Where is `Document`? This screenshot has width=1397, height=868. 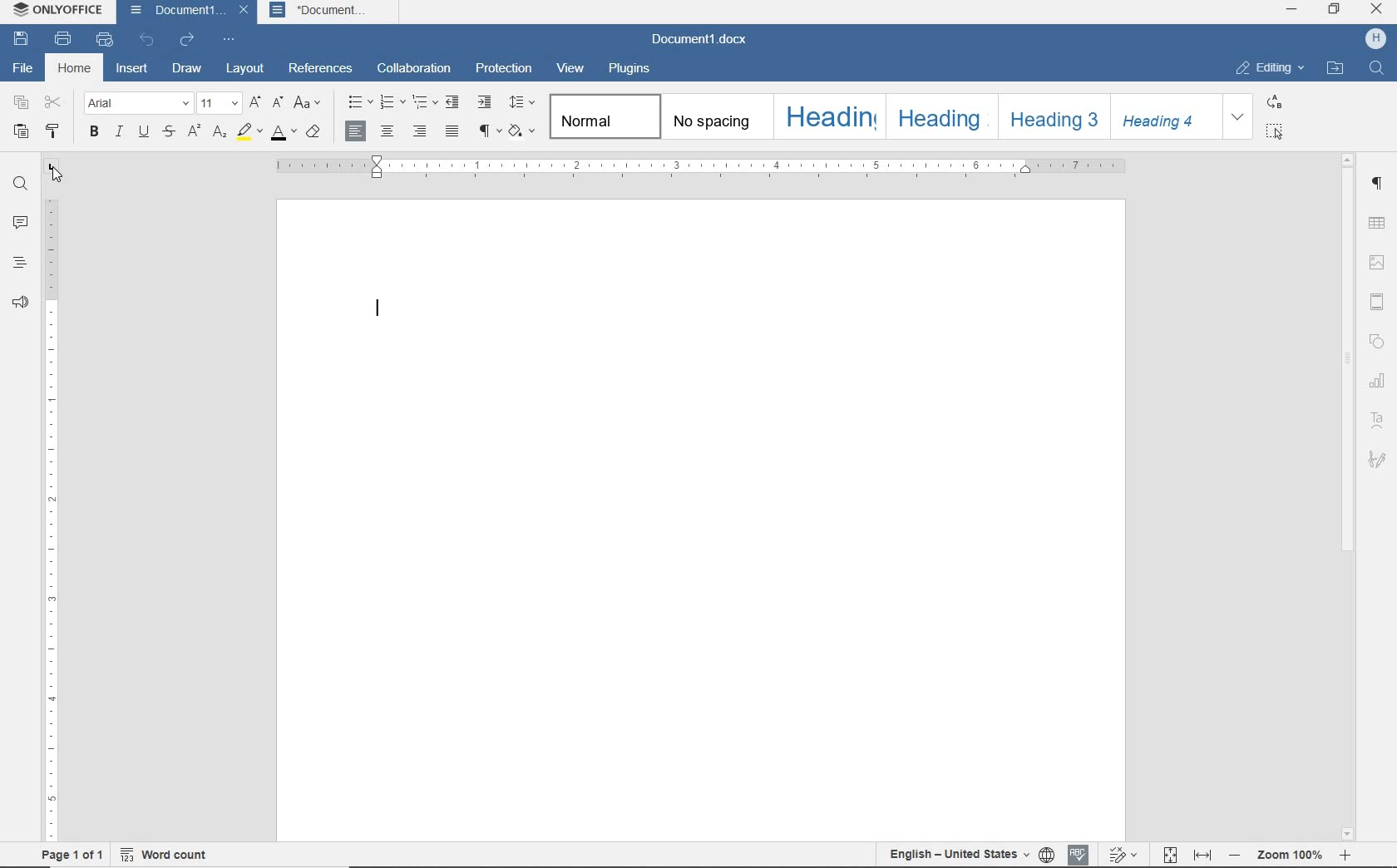
Document is located at coordinates (327, 12).